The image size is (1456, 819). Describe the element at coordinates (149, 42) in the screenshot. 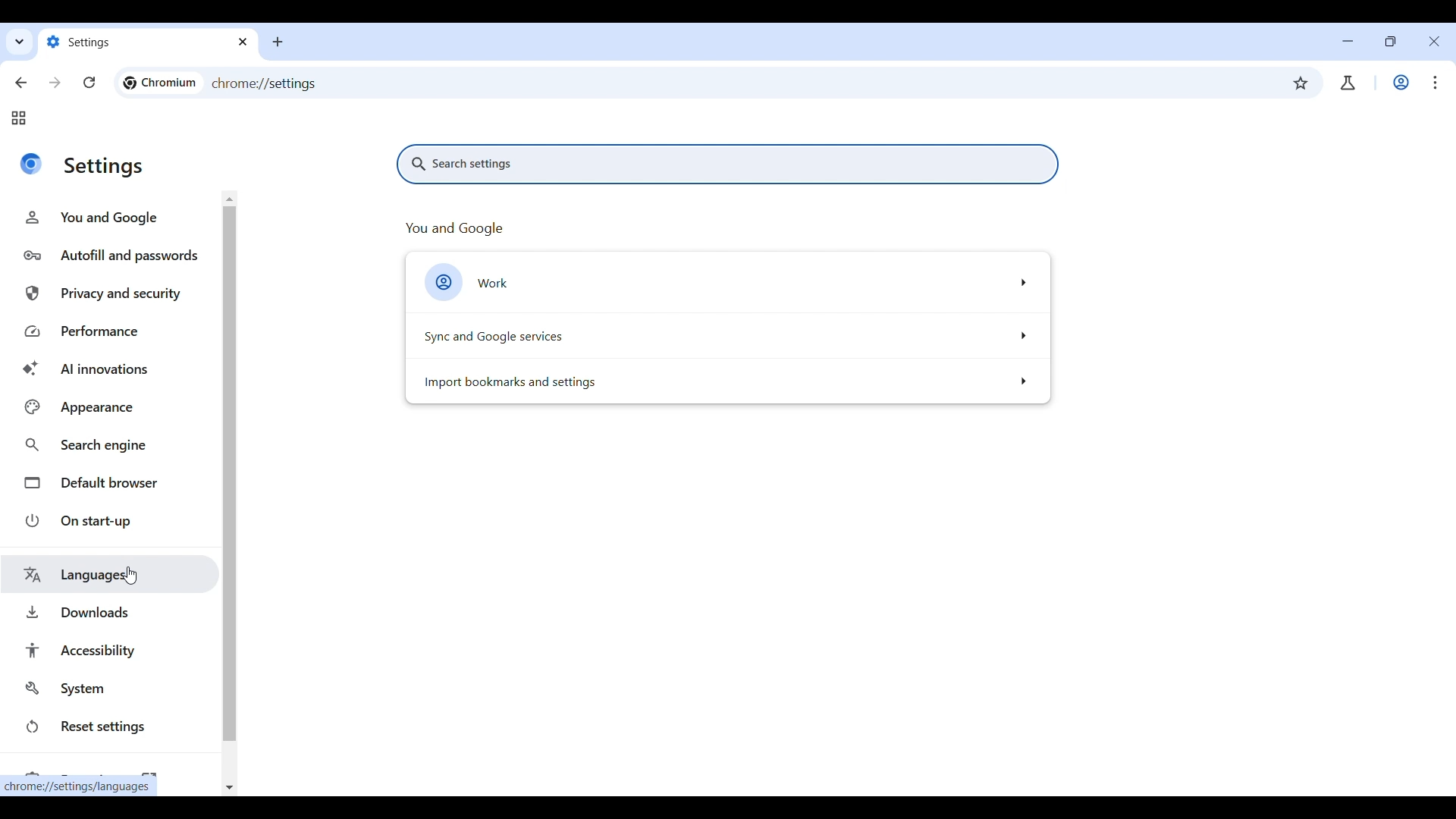

I see `Tab name changed` at that location.